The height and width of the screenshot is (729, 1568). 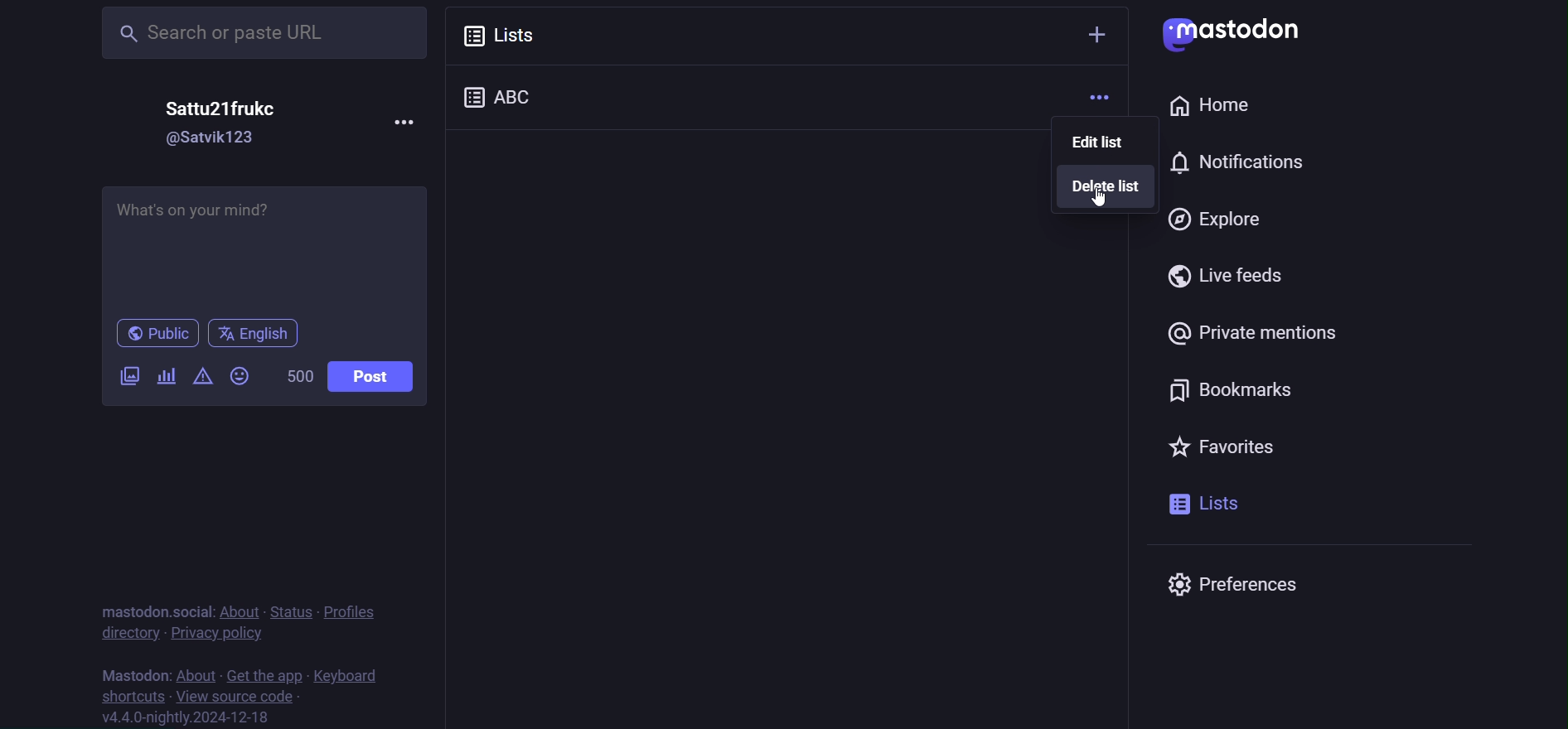 What do you see at coordinates (1252, 334) in the screenshot?
I see `private mention` at bounding box center [1252, 334].